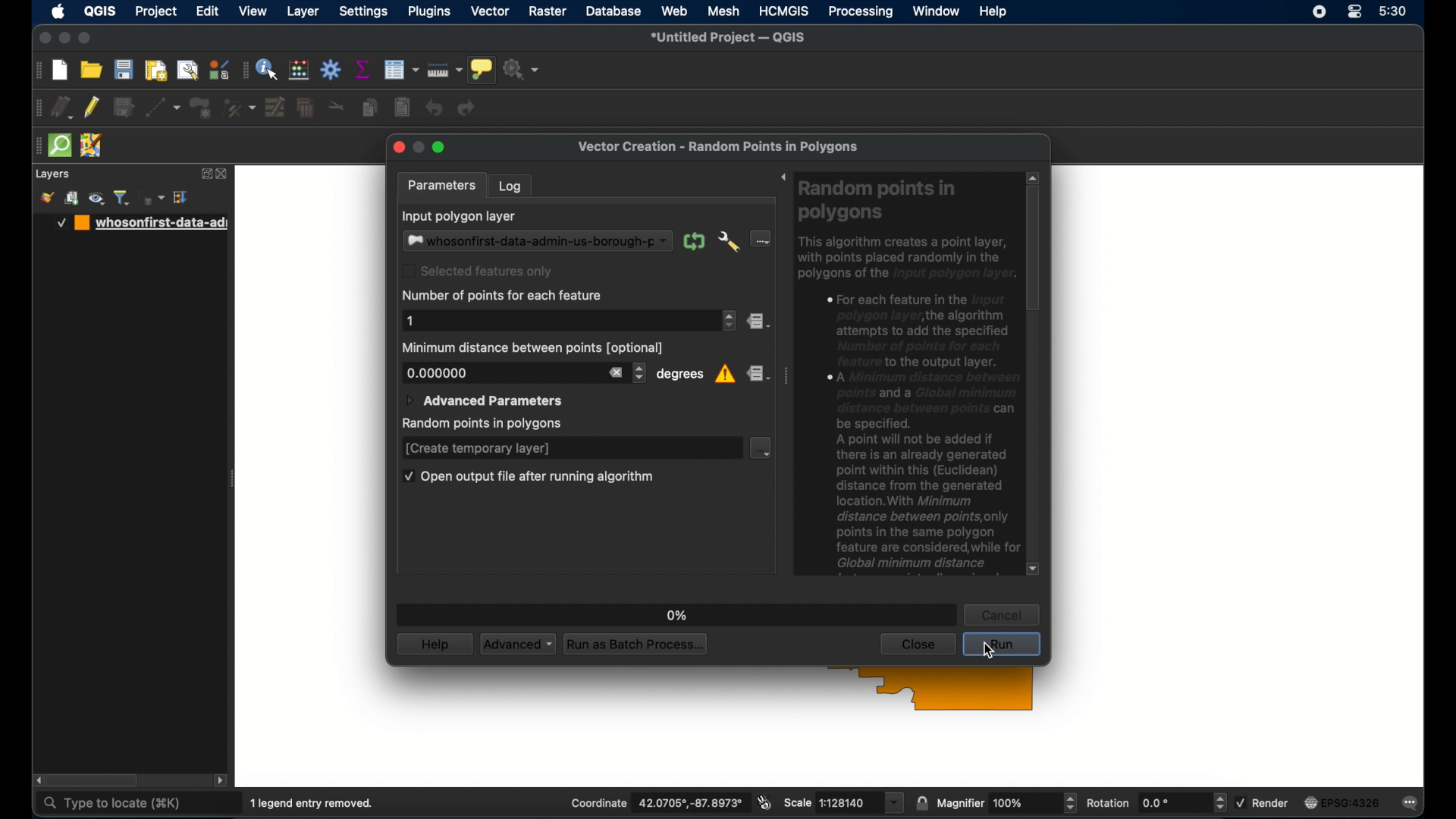  Describe the element at coordinates (729, 240) in the screenshot. I see `advanced options` at that location.